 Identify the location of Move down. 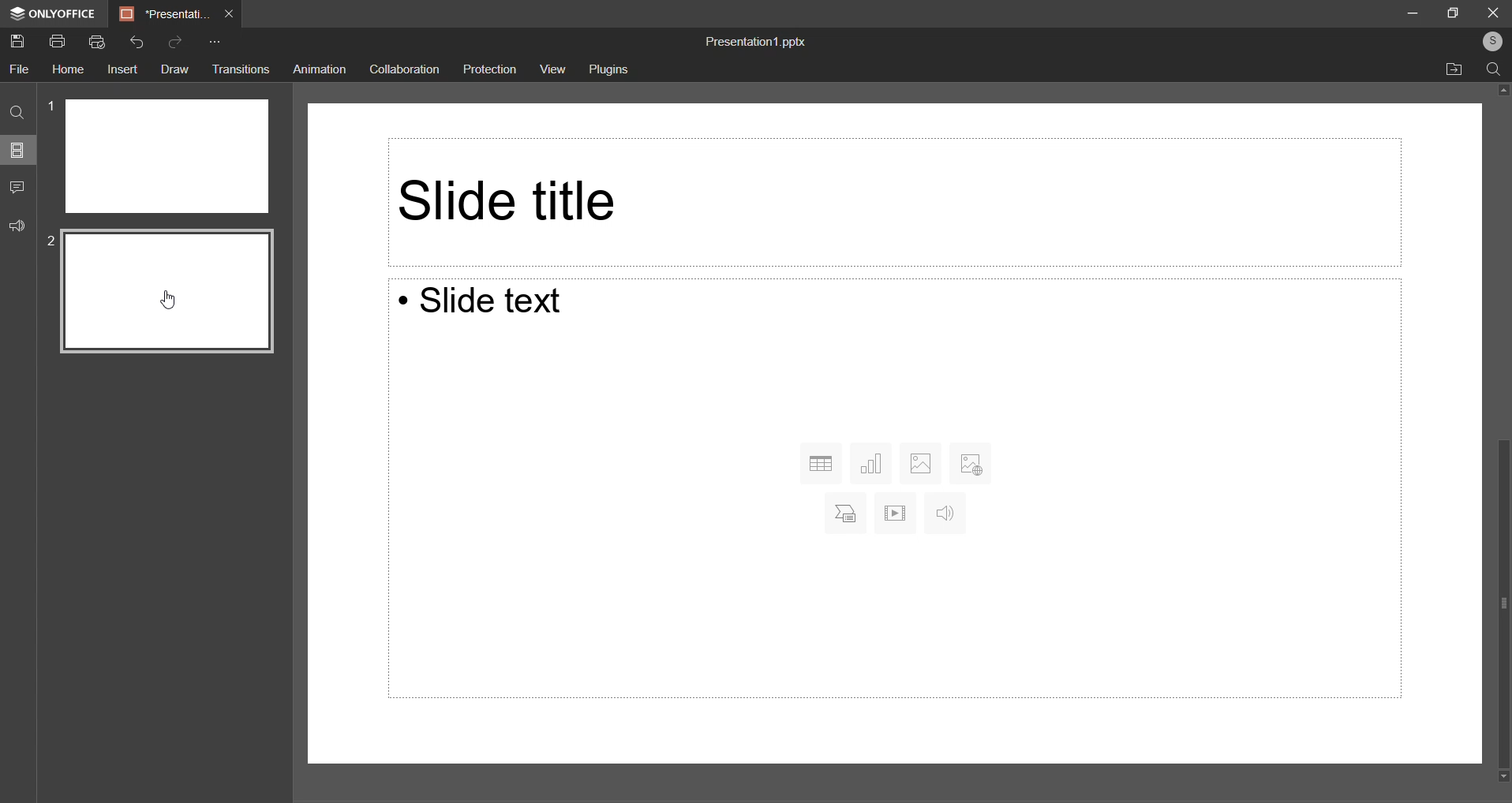
(1499, 777).